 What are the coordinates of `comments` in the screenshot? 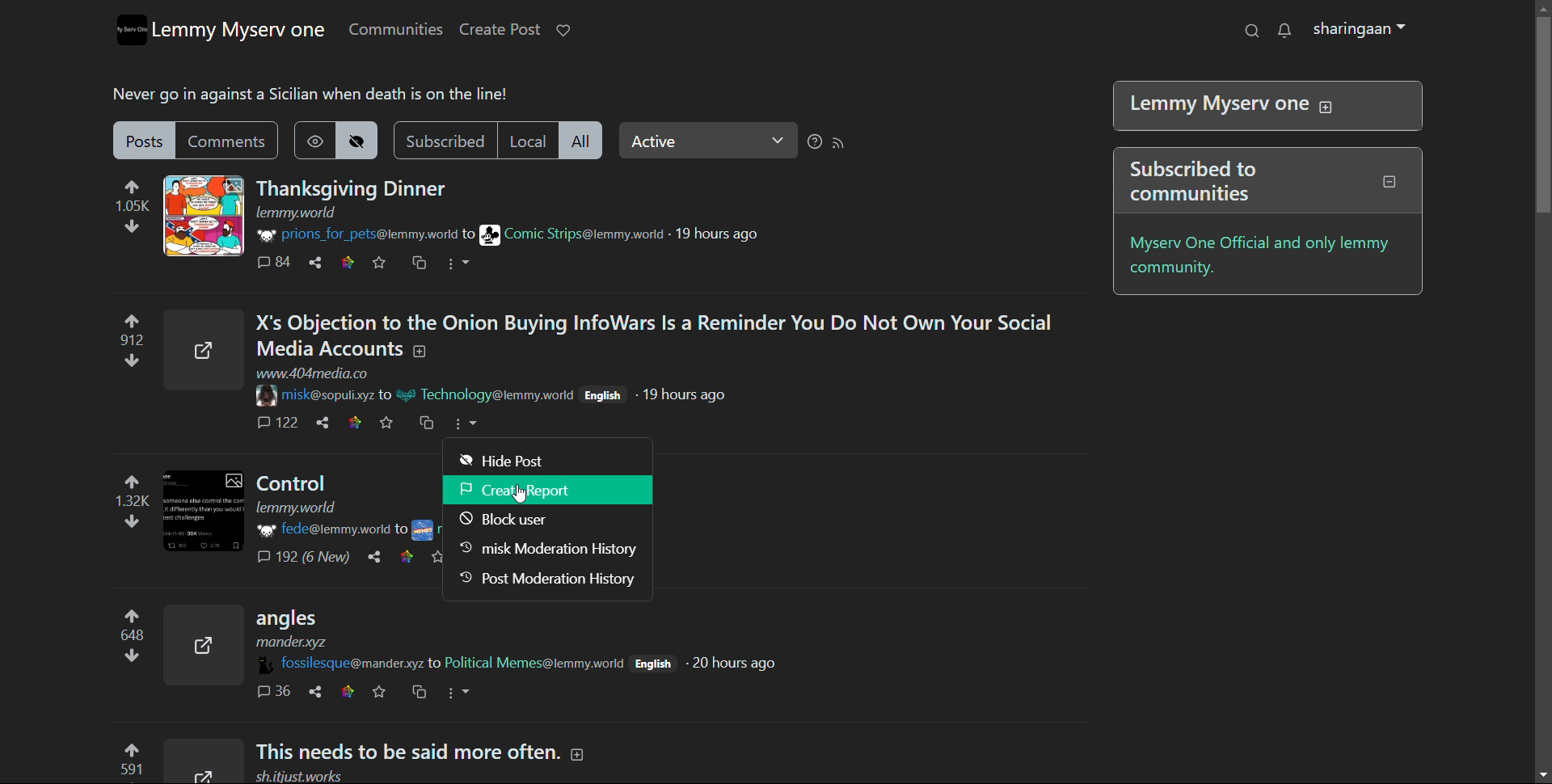 It's located at (272, 692).